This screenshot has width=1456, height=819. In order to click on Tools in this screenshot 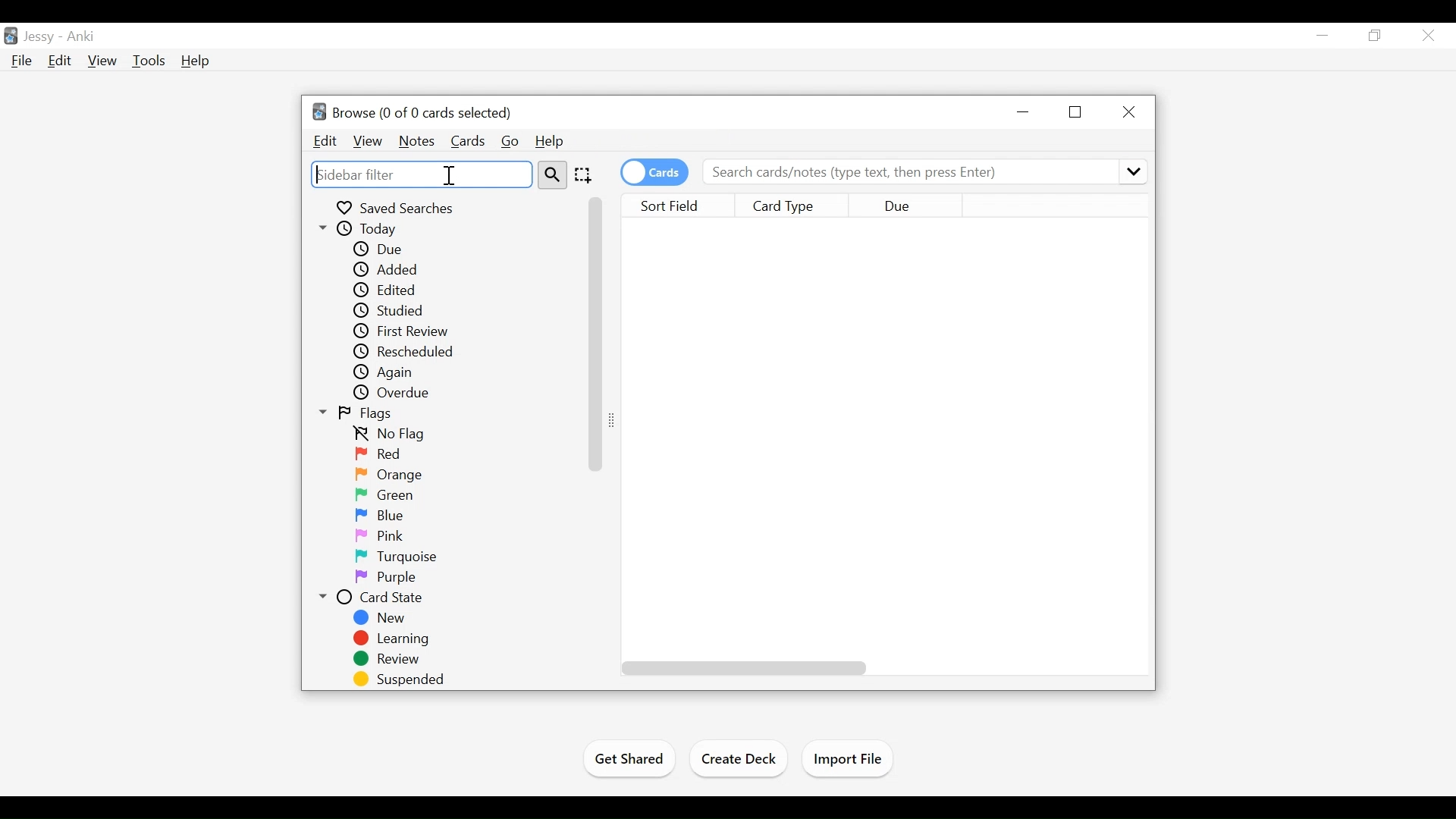, I will do `click(149, 60)`.